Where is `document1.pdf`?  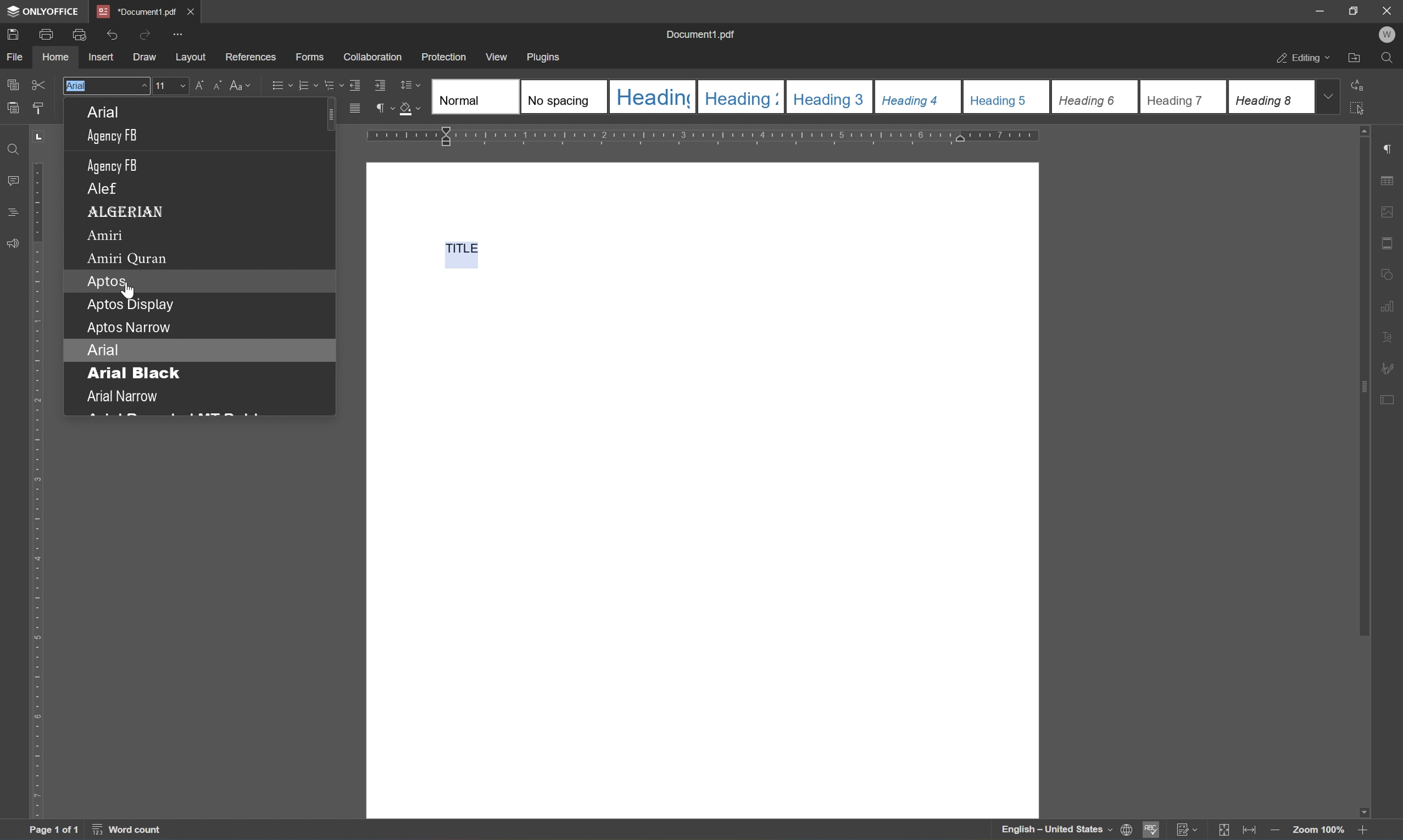 document1.pdf is located at coordinates (135, 12).